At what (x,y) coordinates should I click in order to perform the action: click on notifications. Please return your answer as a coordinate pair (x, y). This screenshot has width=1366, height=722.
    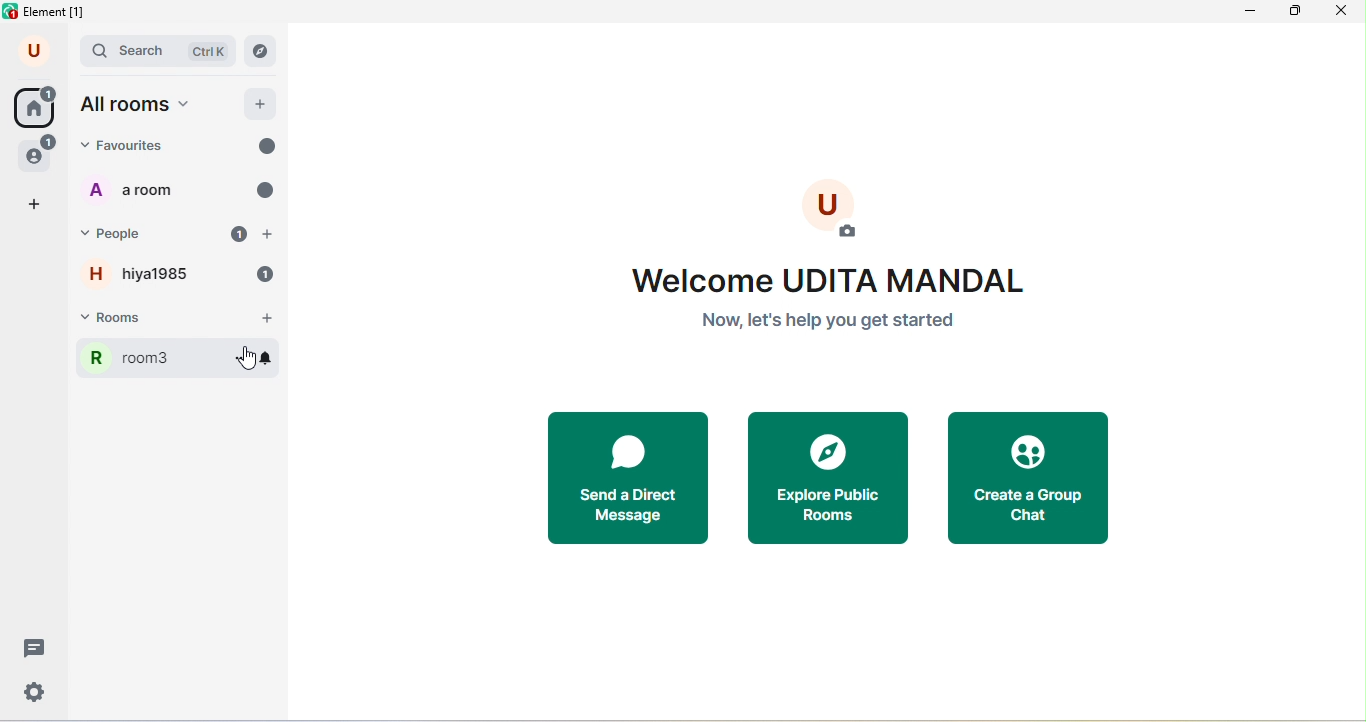
    Looking at the image, I should click on (264, 356).